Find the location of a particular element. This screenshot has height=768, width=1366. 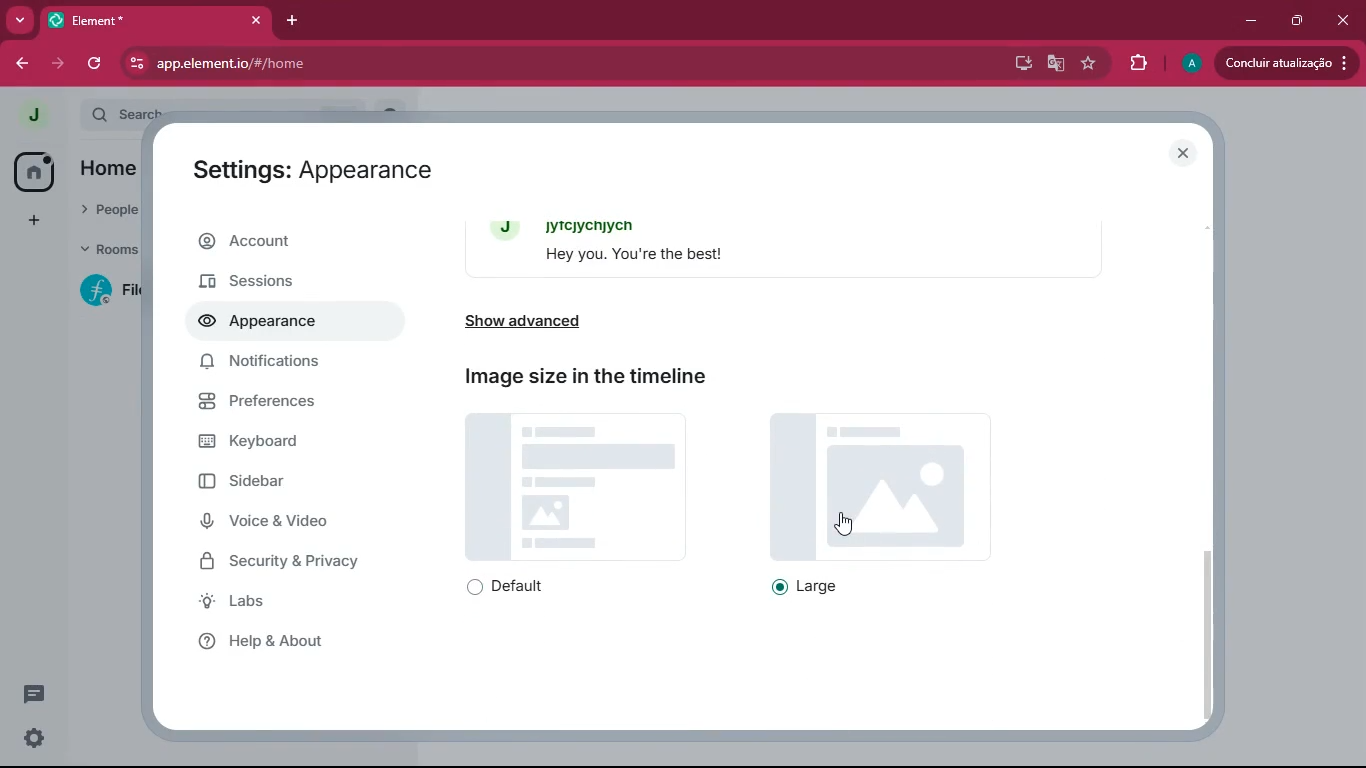

cursor is located at coordinates (852, 524).